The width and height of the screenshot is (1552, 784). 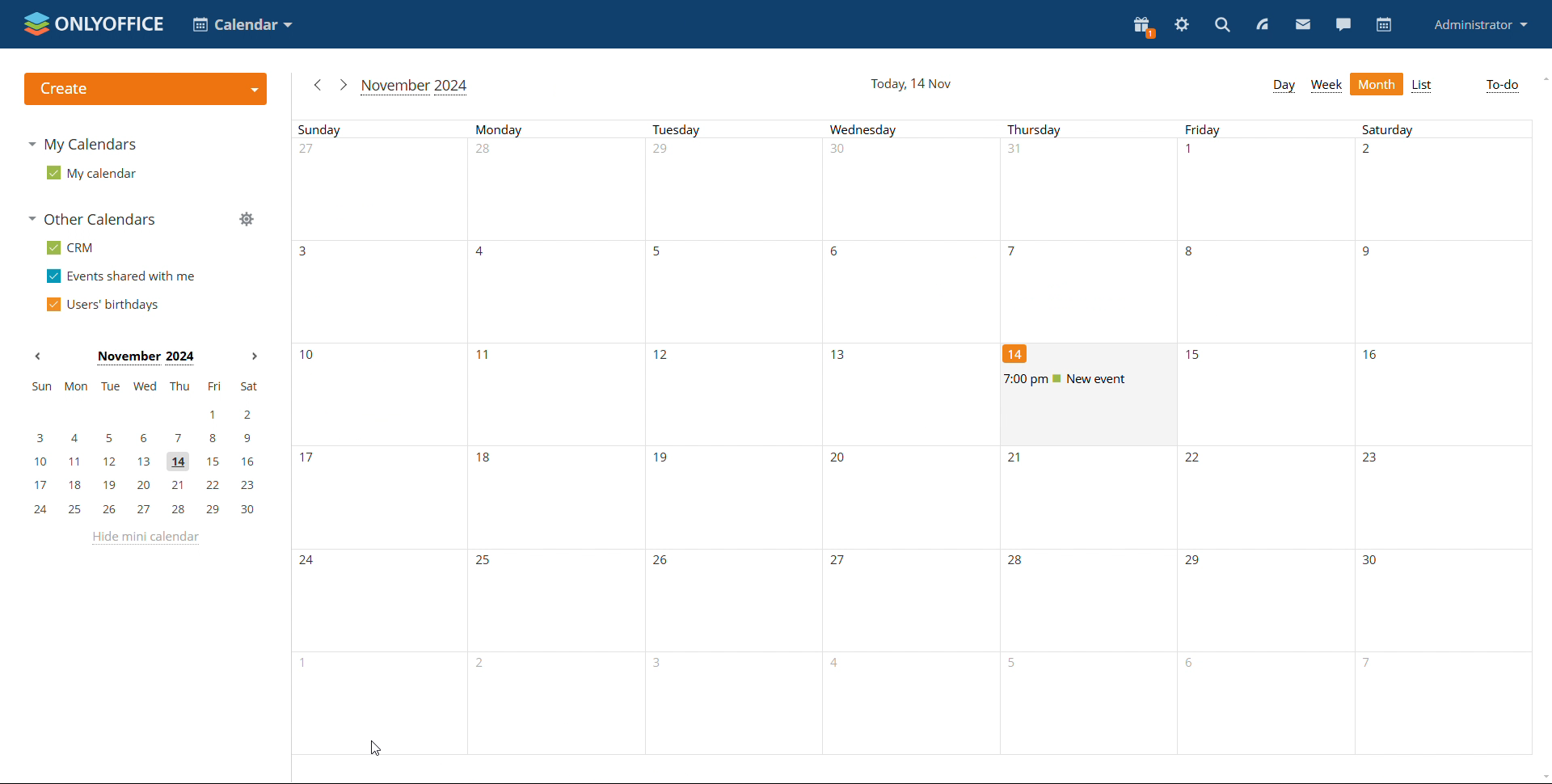 I want to click on number, so click(x=1018, y=353).